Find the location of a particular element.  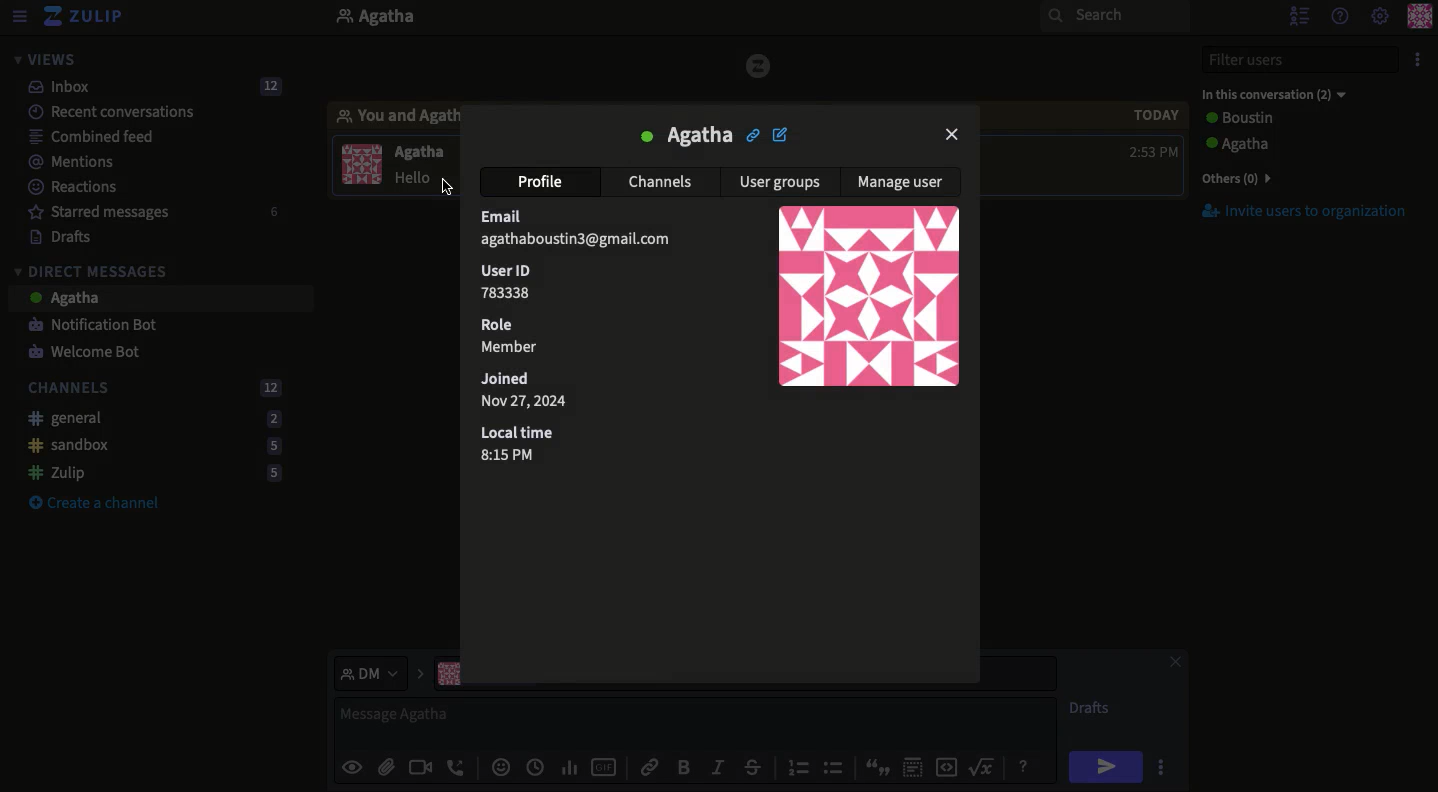

Profile is located at coordinates (1419, 18).